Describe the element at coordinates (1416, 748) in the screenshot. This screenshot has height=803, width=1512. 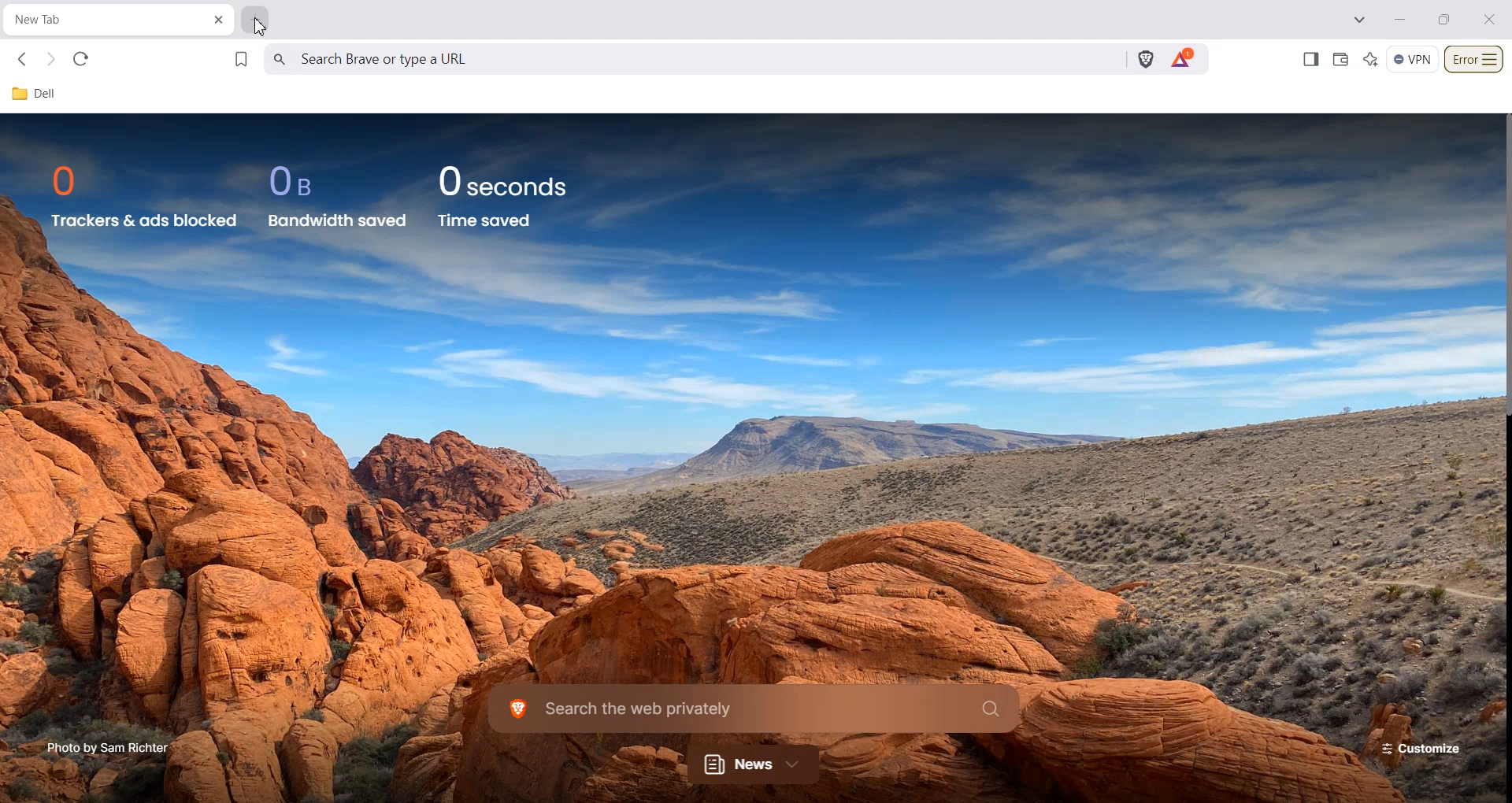
I see `Customize` at that location.